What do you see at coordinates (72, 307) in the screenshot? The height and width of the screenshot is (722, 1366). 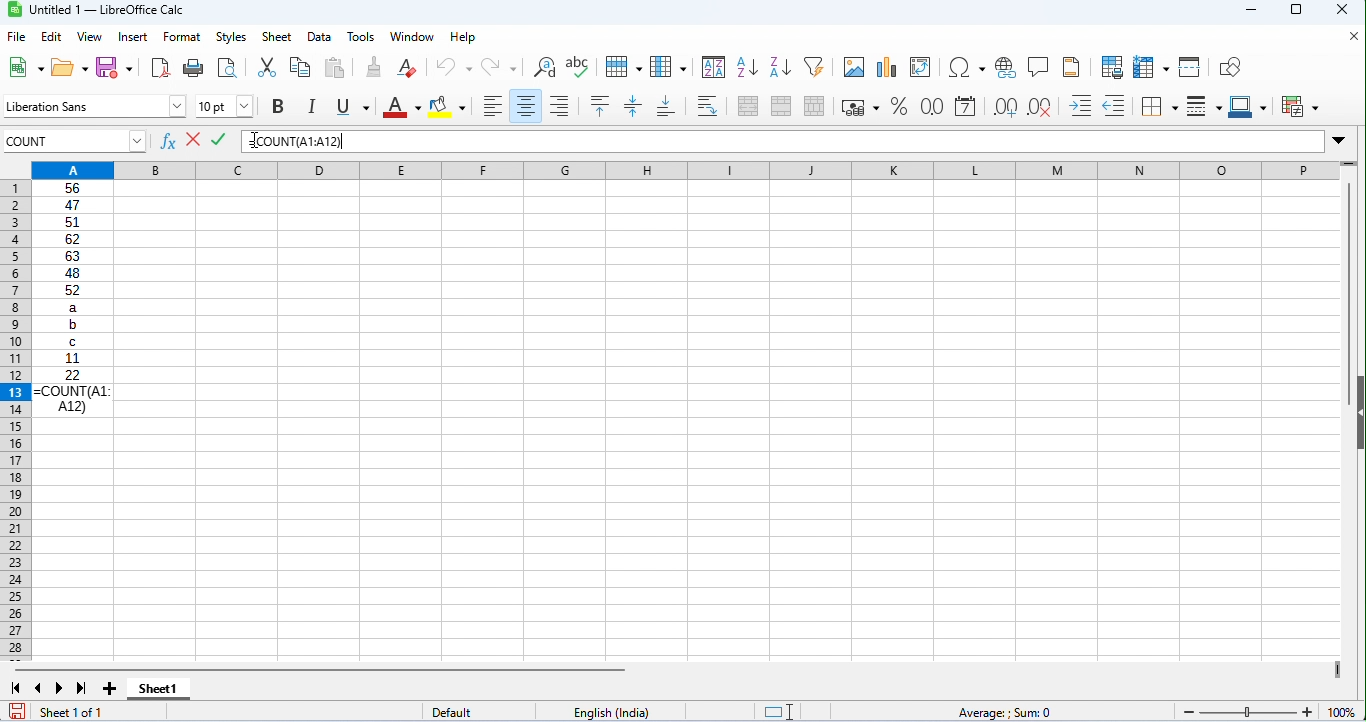 I see `a` at bounding box center [72, 307].